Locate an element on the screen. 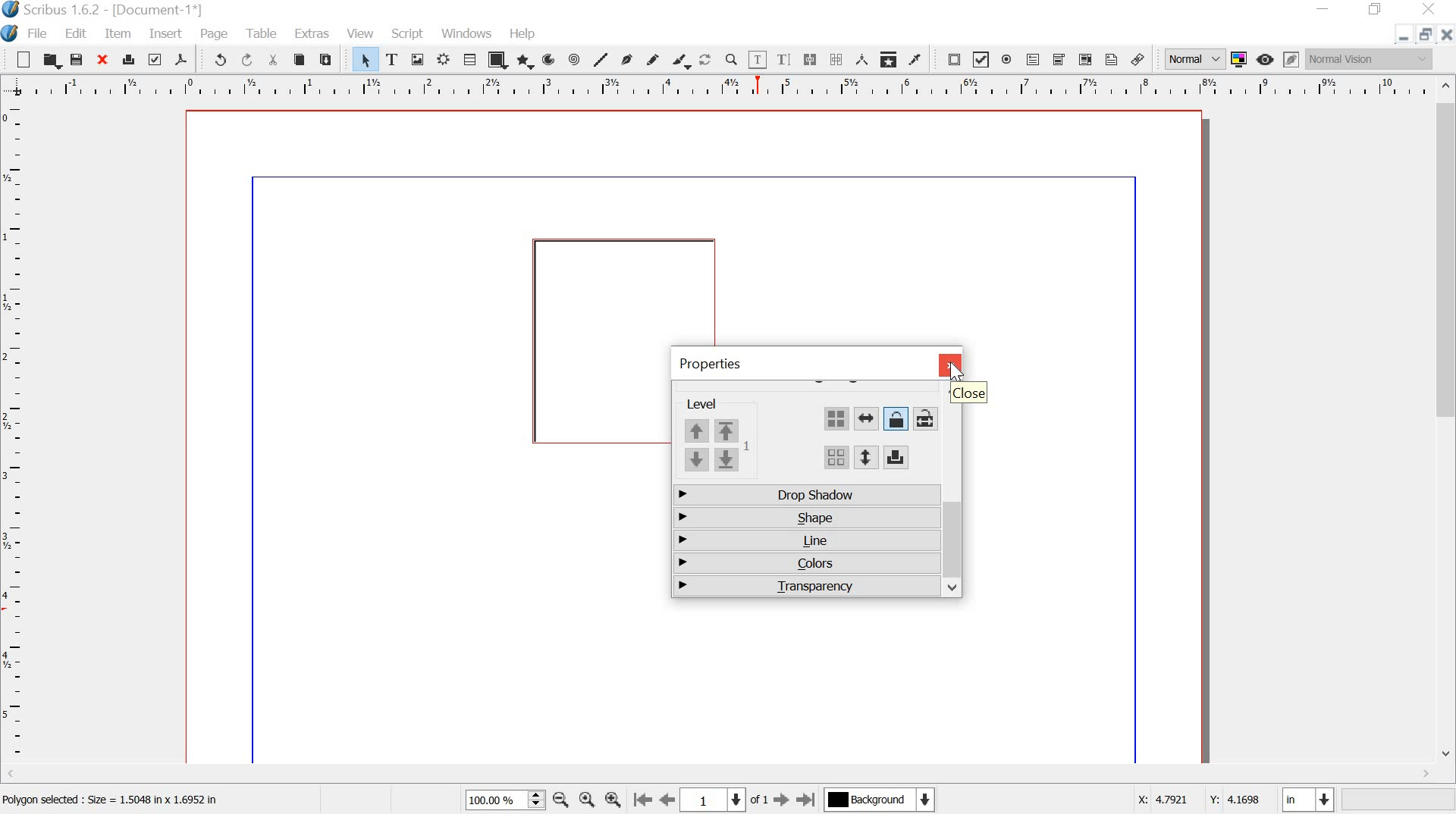 This screenshot has height=814, width=1456. paste is located at coordinates (329, 61).